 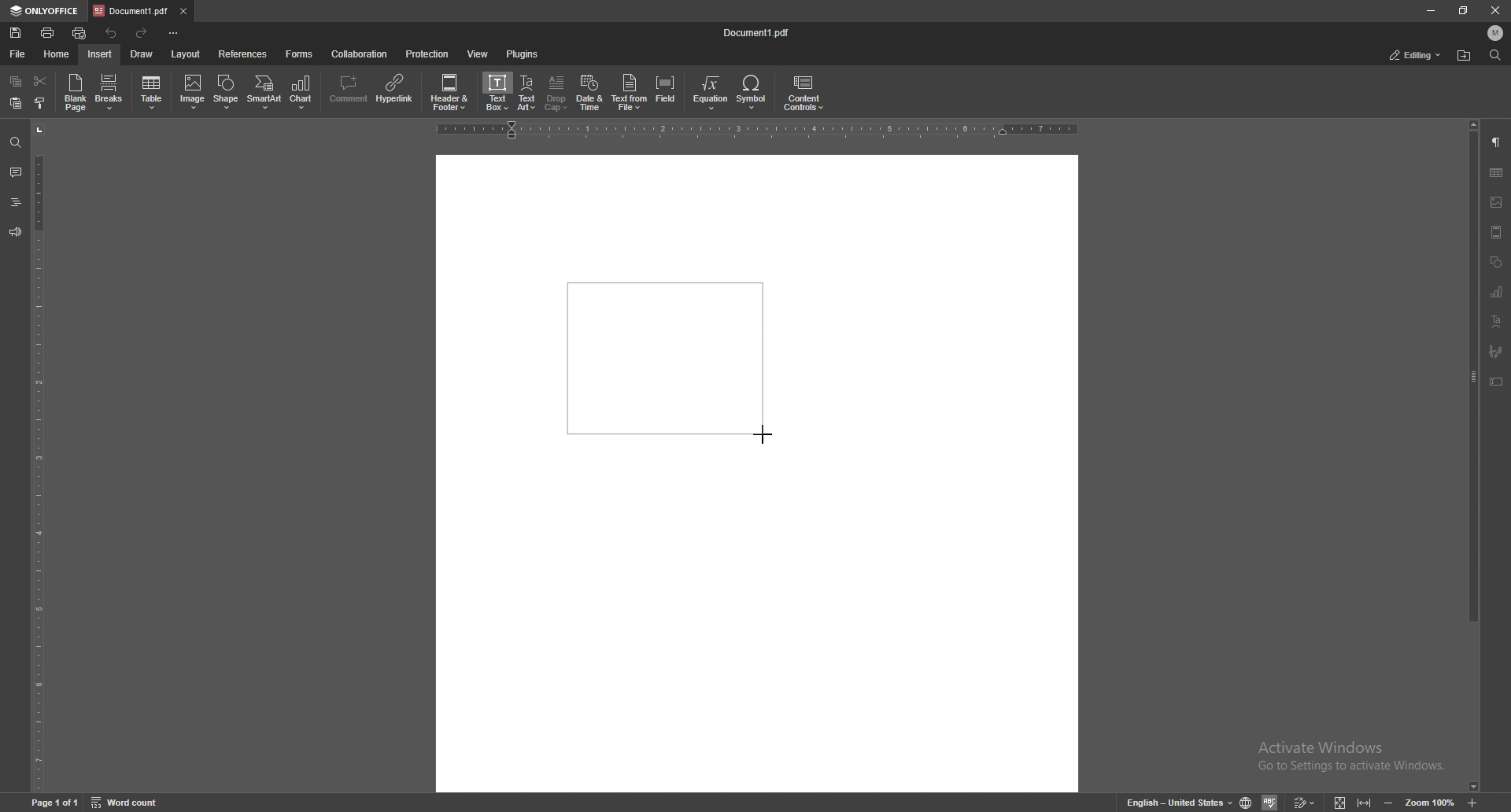 I want to click on equation, so click(x=711, y=93).